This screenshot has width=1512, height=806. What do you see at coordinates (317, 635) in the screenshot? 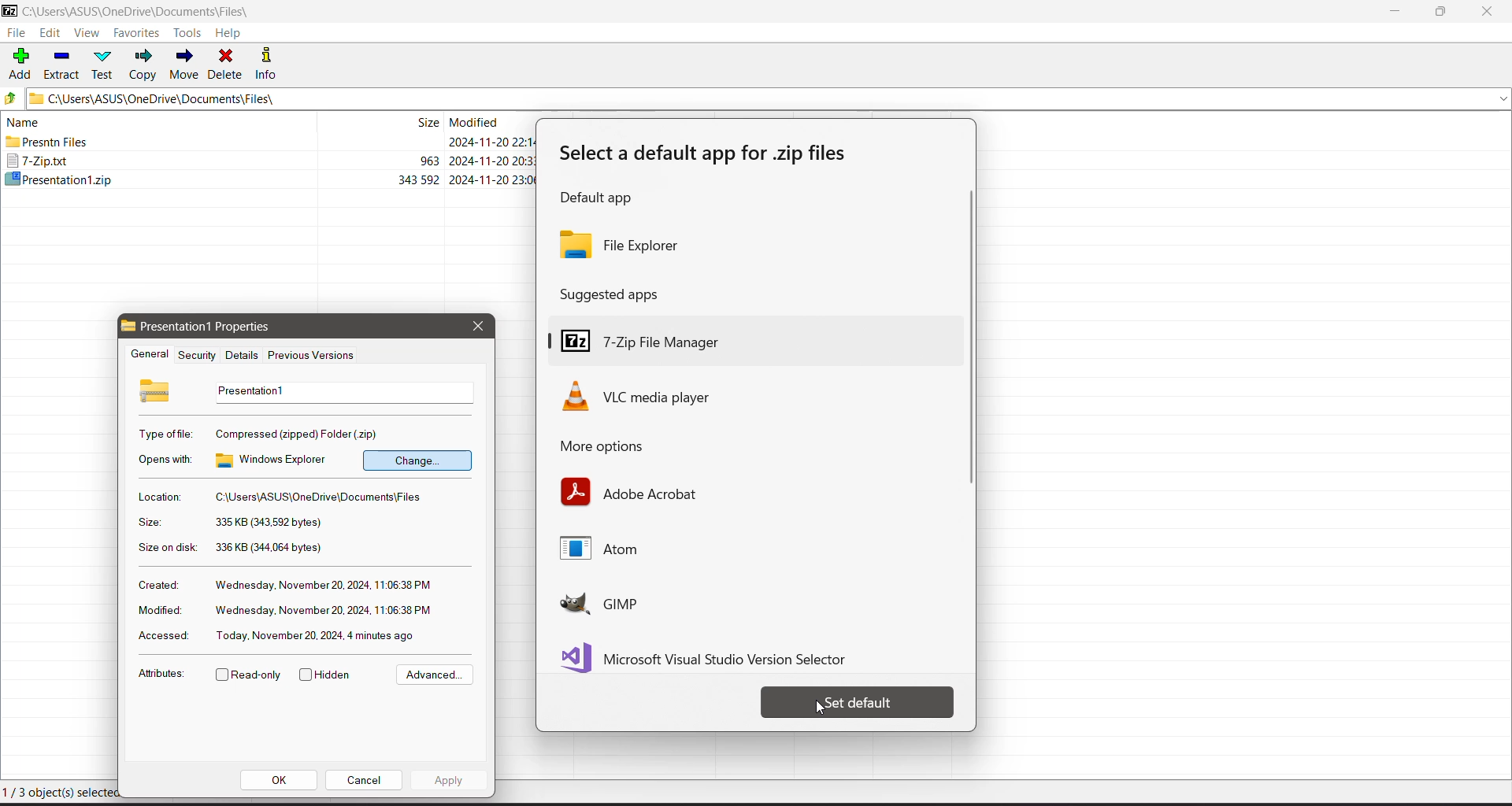
I see `Accessed Day, Date, Year and time` at bounding box center [317, 635].